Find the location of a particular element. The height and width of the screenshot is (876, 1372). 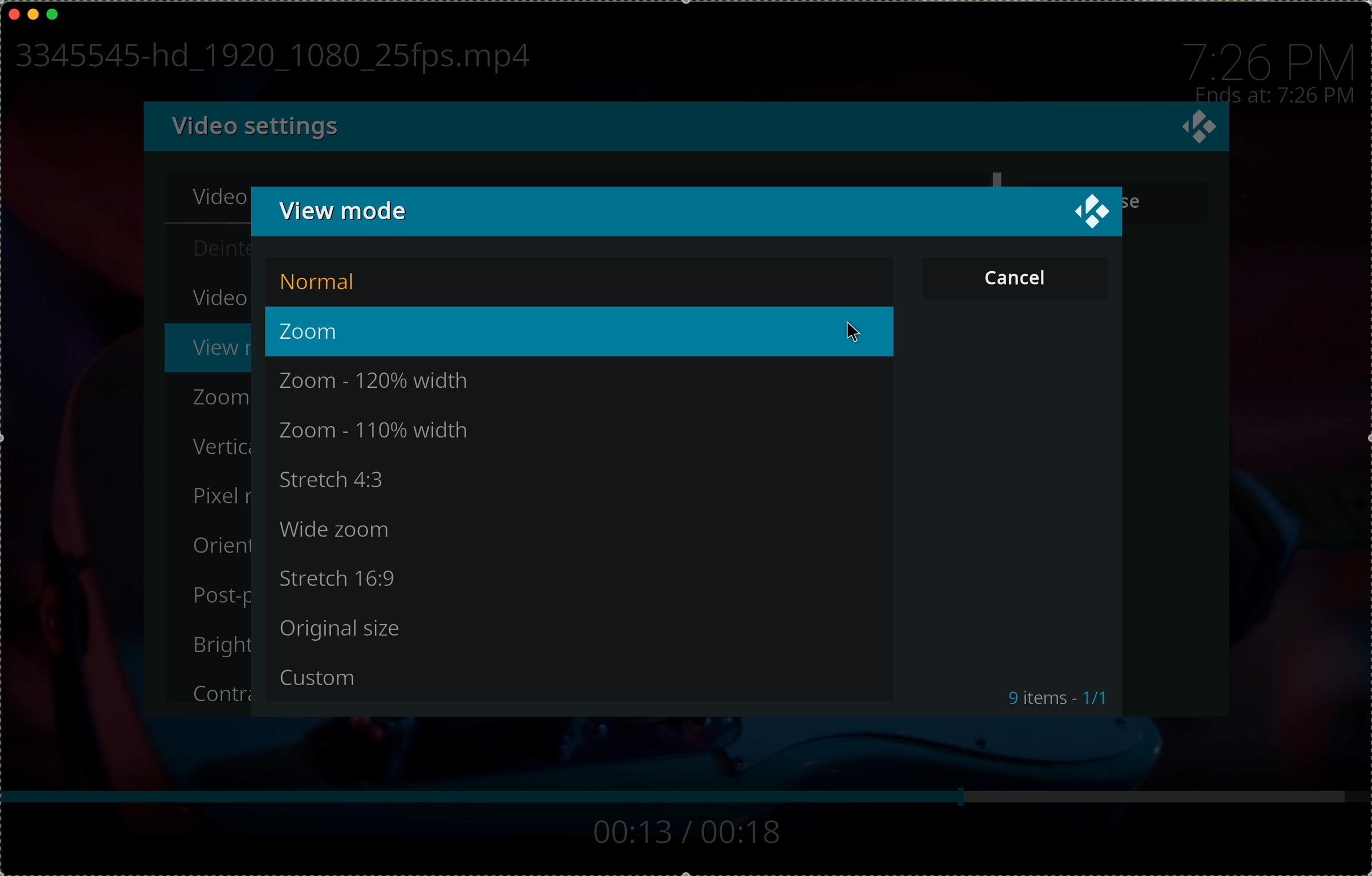

video settings is located at coordinates (252, 126).